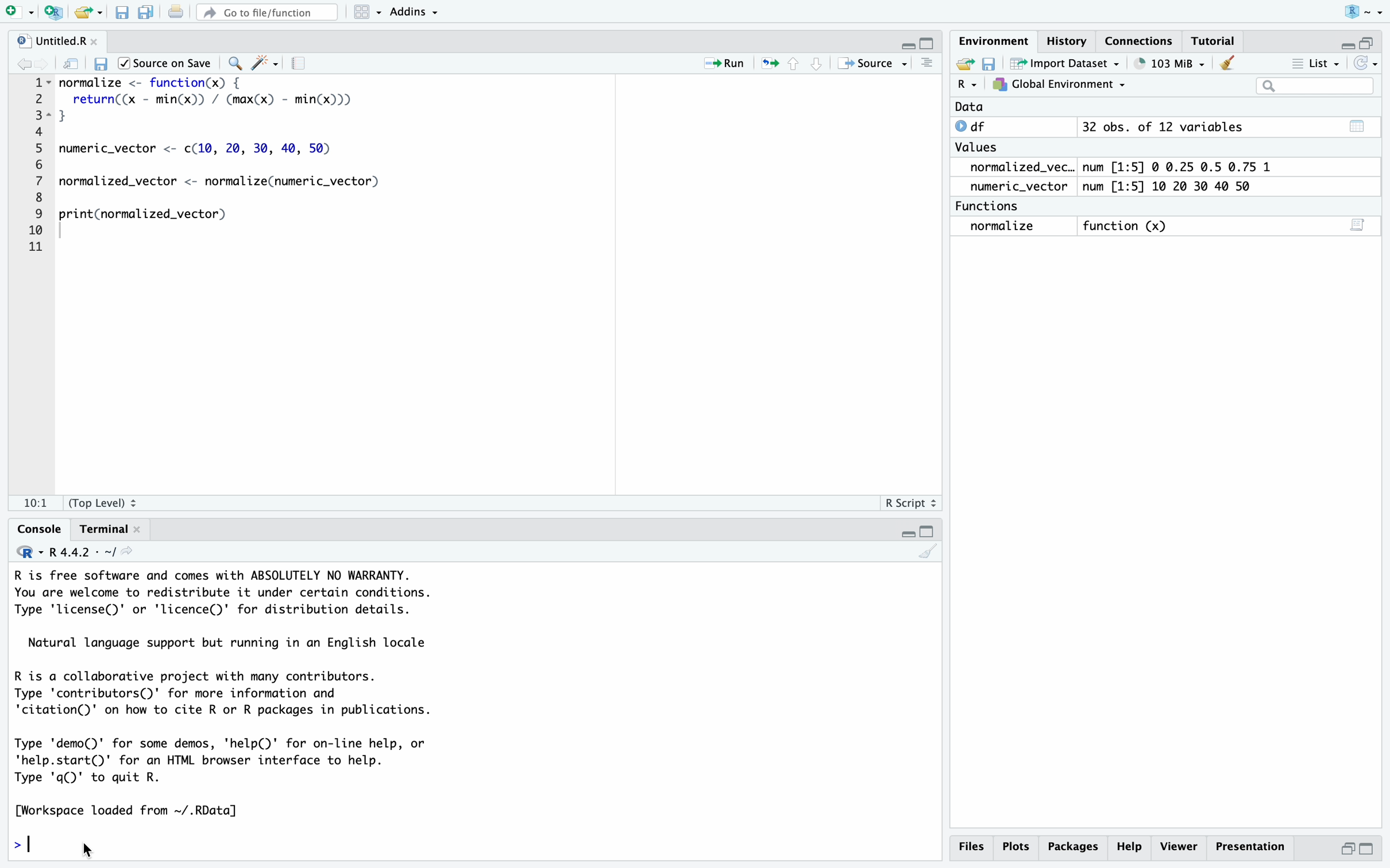 This screenshot has width=1390, height=868. Describe the element at coordinates (770, 64) in the screenshot. I see `Re-run the previous code region (Ctrl + Alt + P)` at that location.